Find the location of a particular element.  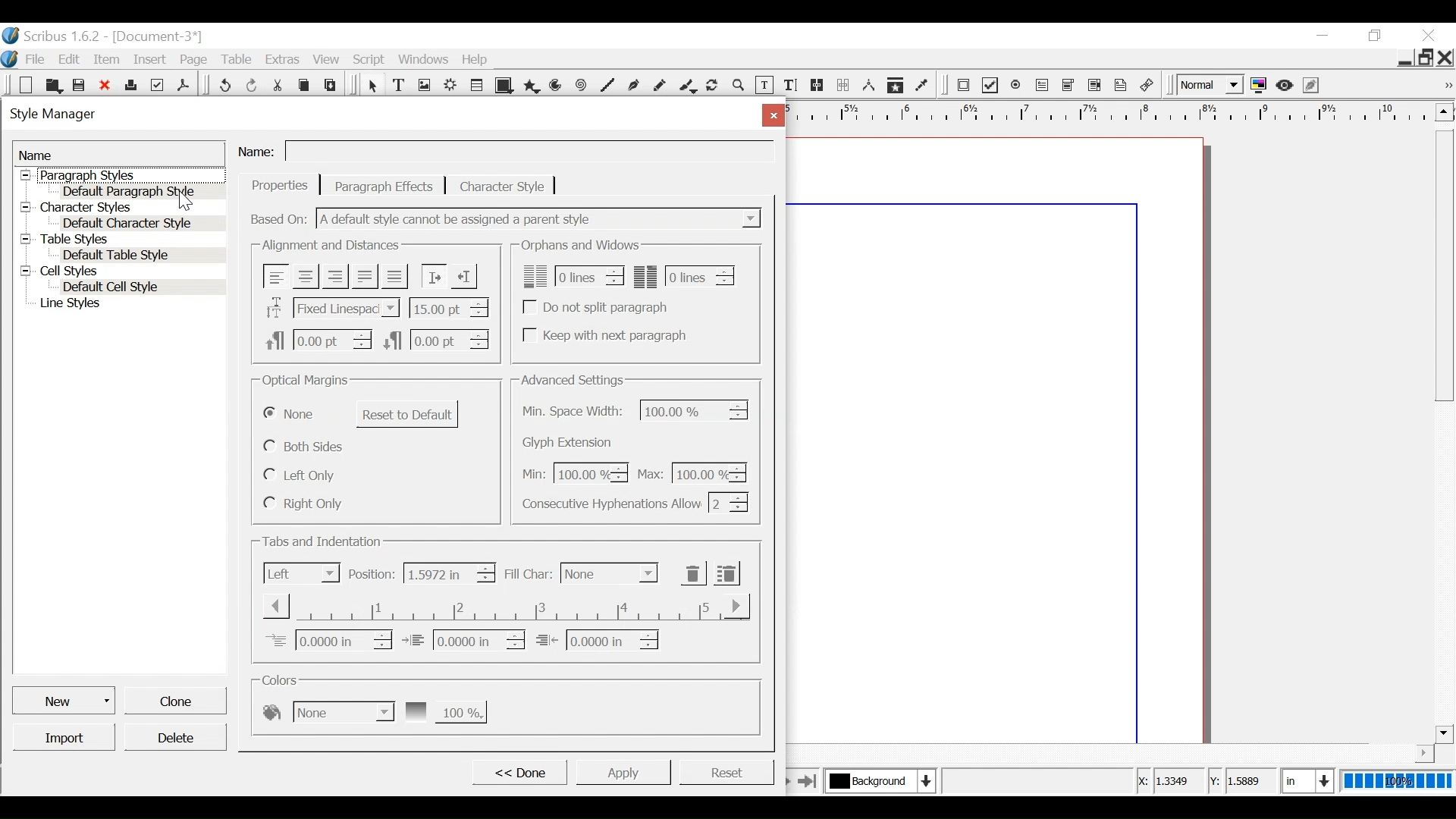

Open is located at coordinates (52, 85).